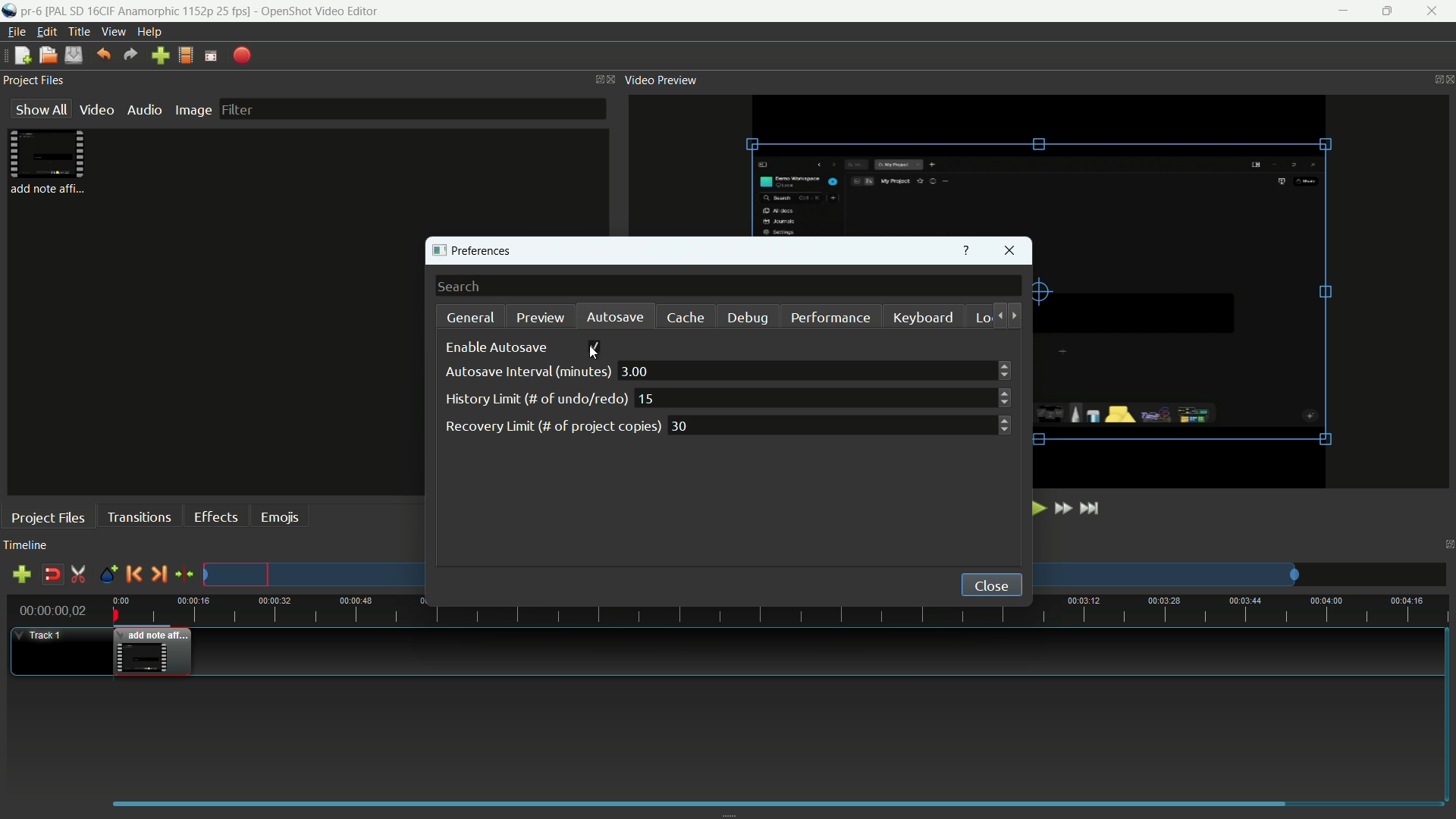 Image resolution: width=1456 pixels, height=819 pixels. What do you see at coordinates (31, 11) in the screenshot?
I see `project name` at bounding box center [31, 11].